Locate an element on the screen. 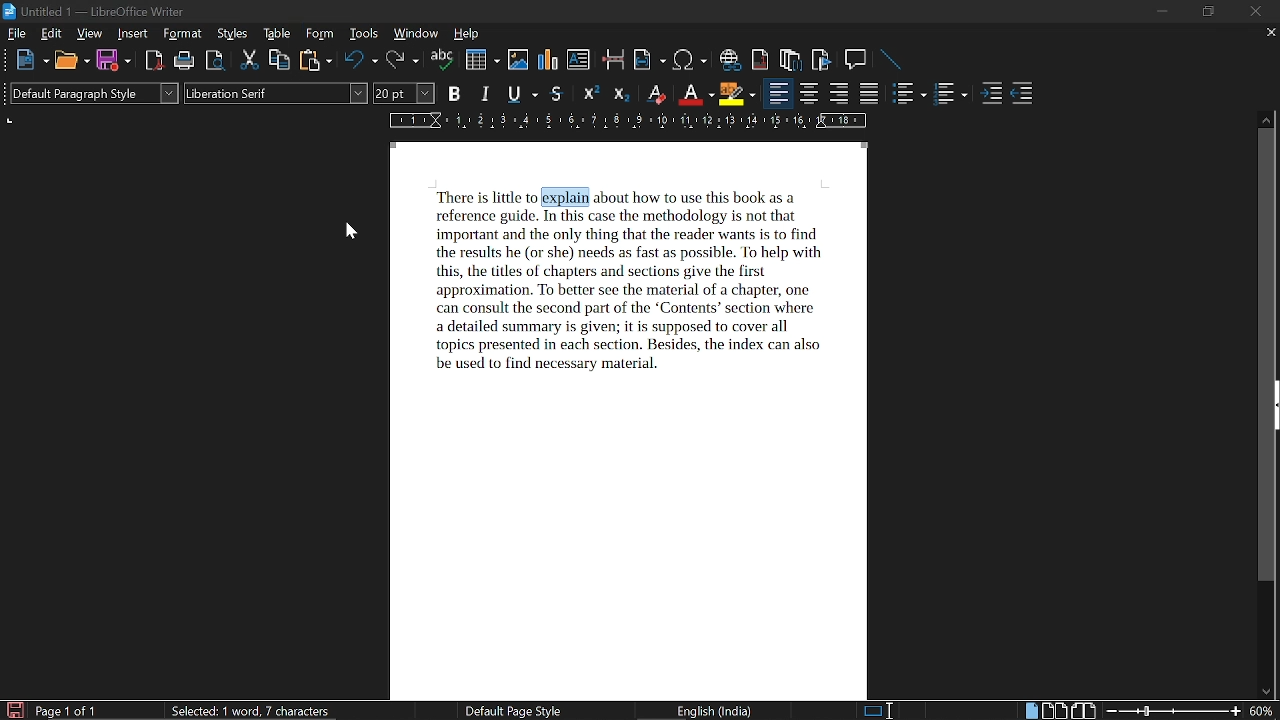 The image size is (1280, 720). untiled 1 - LibreOffice Writer is located at coordinates (105, 11).